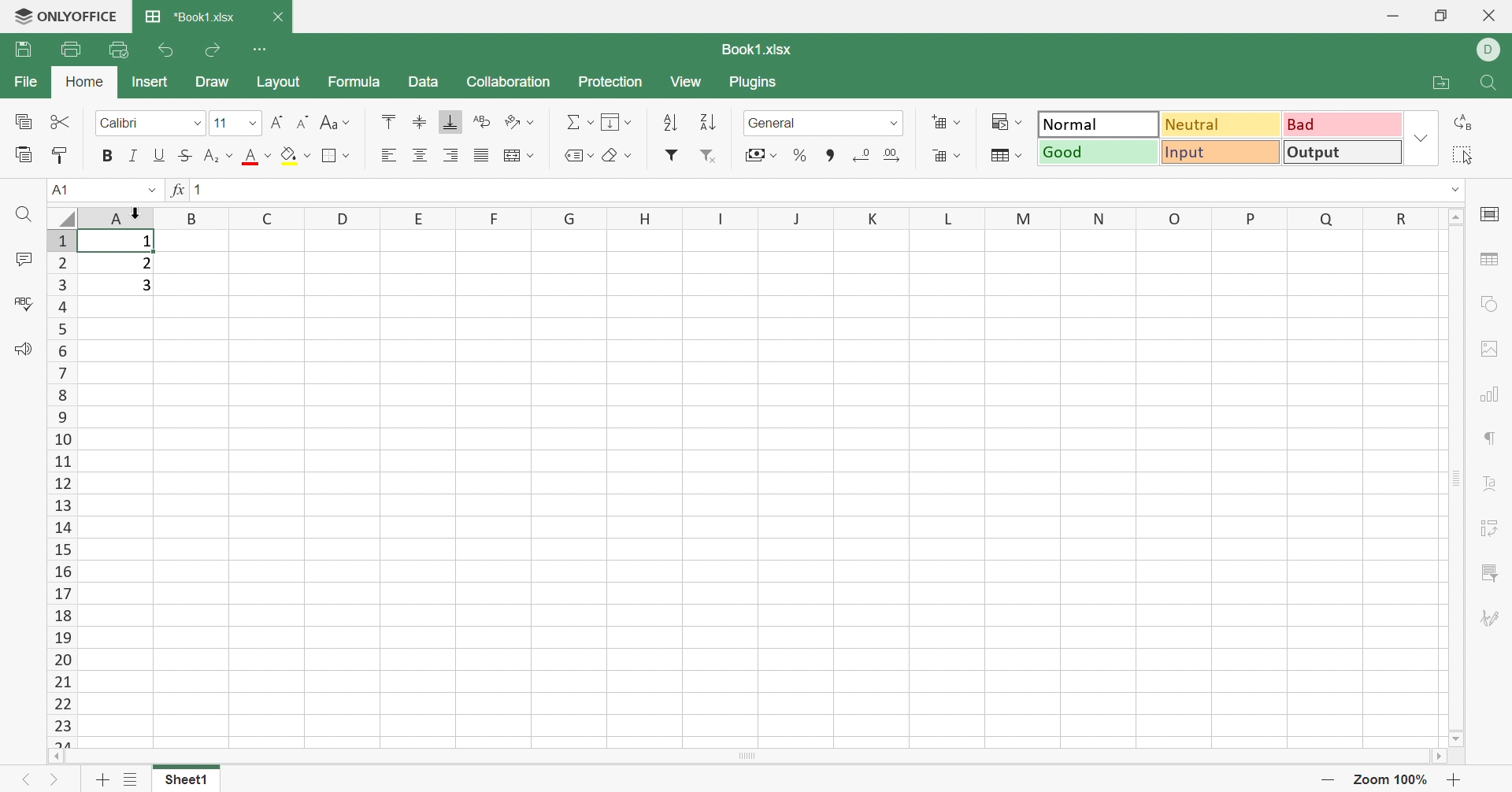  I want to click on Zoom in, so click(1456, 779).